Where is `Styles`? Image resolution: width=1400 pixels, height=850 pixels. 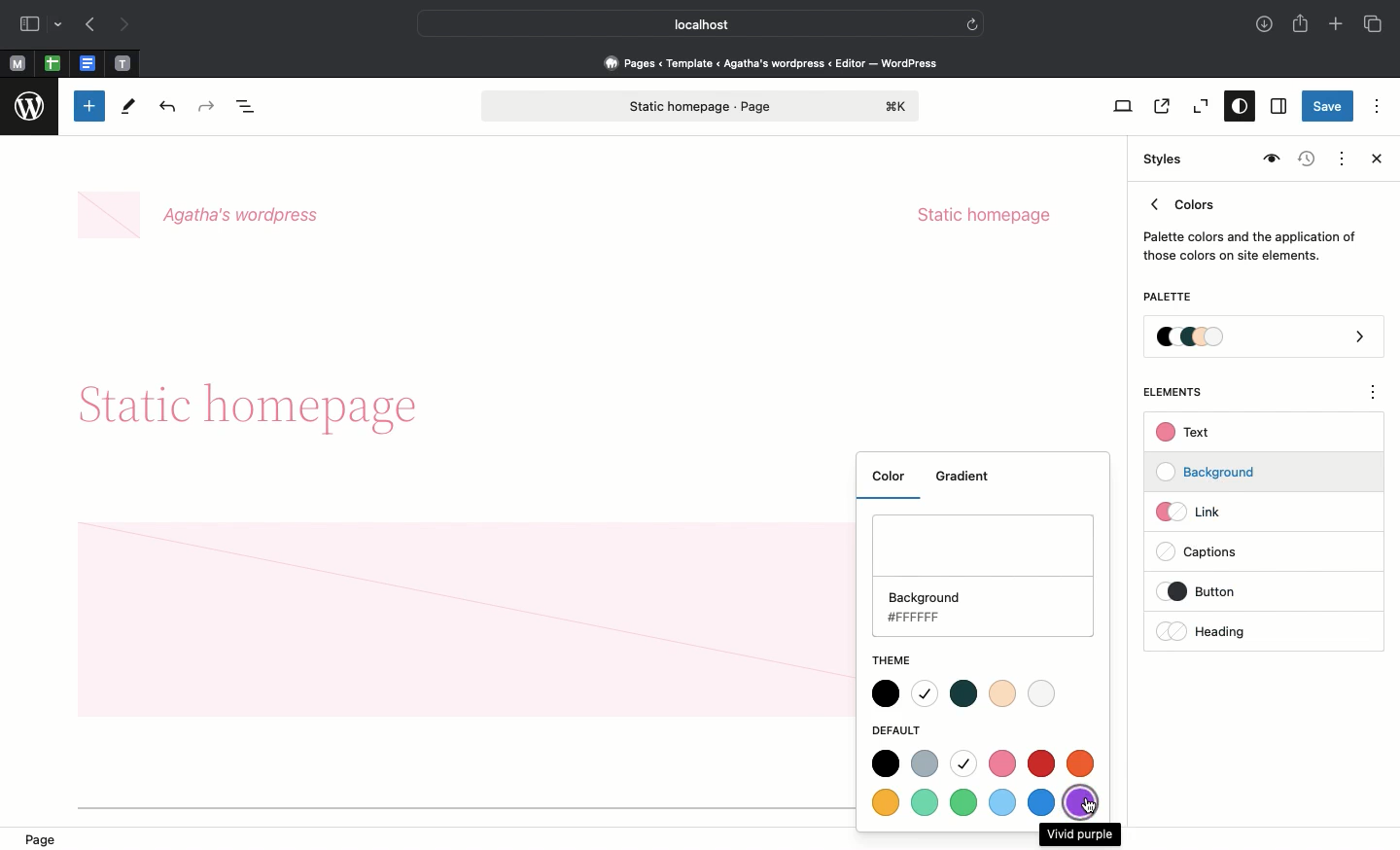
Styles is located at coordinates (1235, 108).